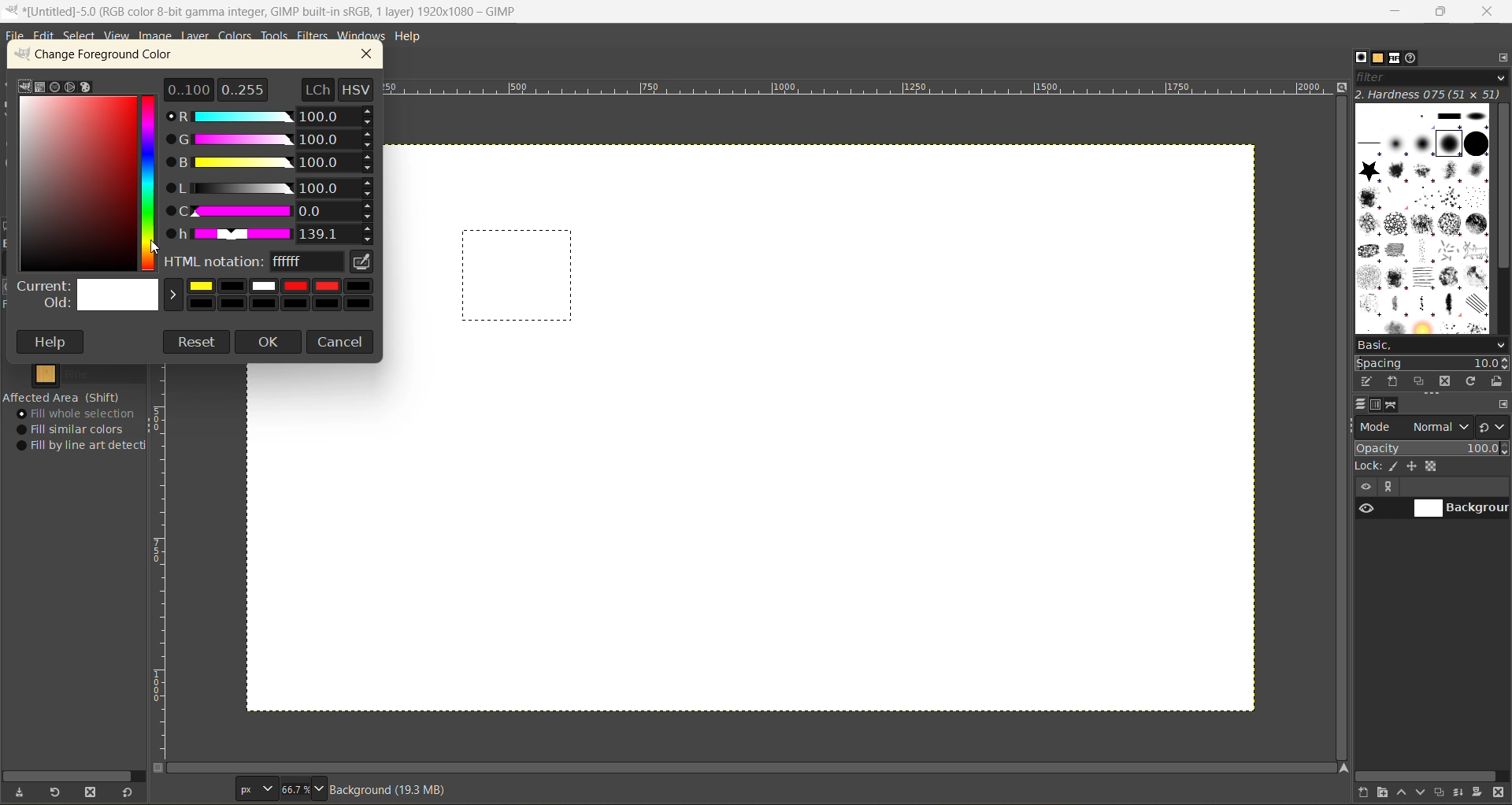 The width and height of the screenshot is (1512, 805). What do you see at coordinates (372, 54) in the screenshot?
I see `close` at bounding box center [372, 54].